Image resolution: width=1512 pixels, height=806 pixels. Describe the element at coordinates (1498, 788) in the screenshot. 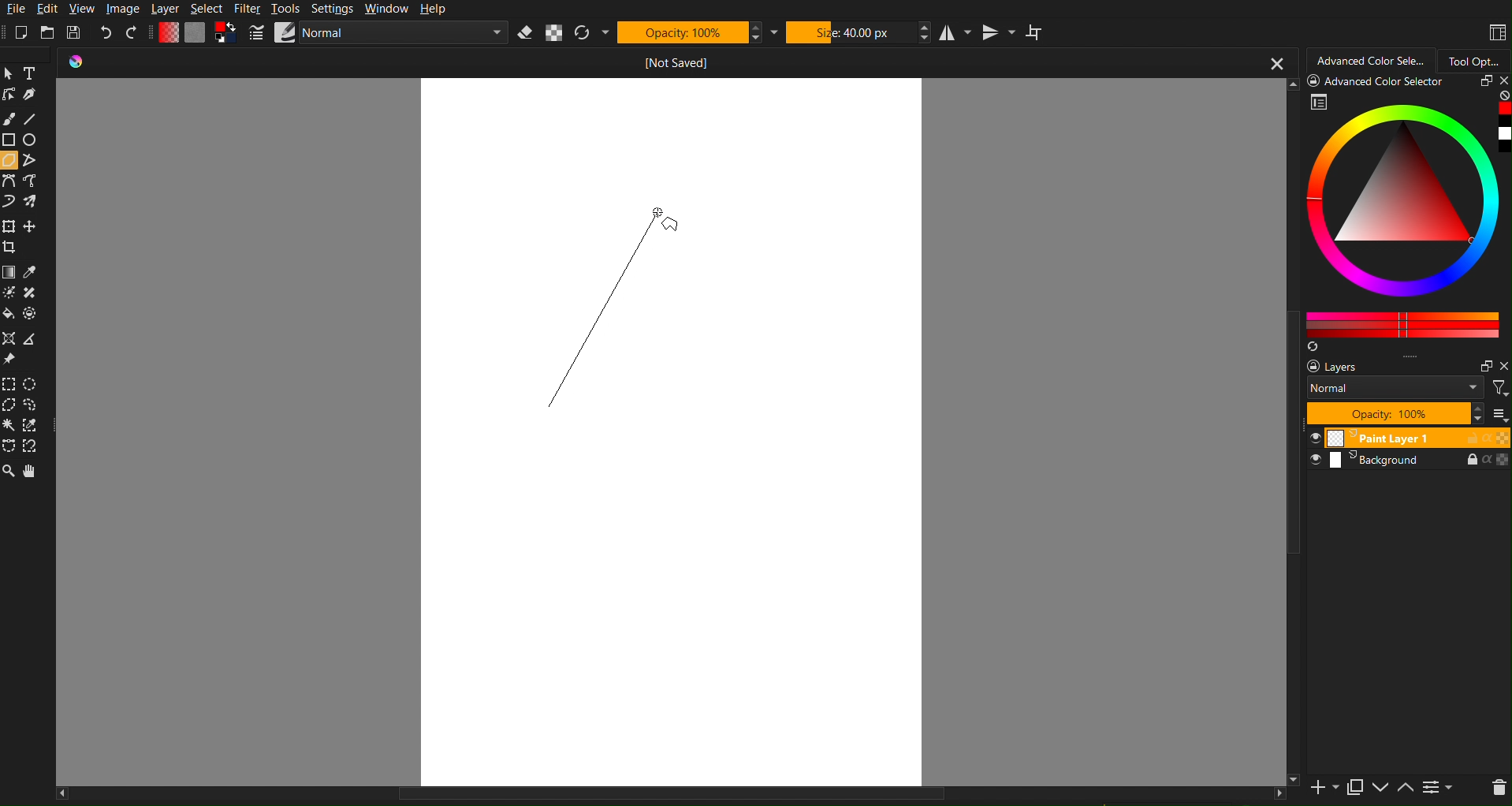

I see `delete layer` at that location.